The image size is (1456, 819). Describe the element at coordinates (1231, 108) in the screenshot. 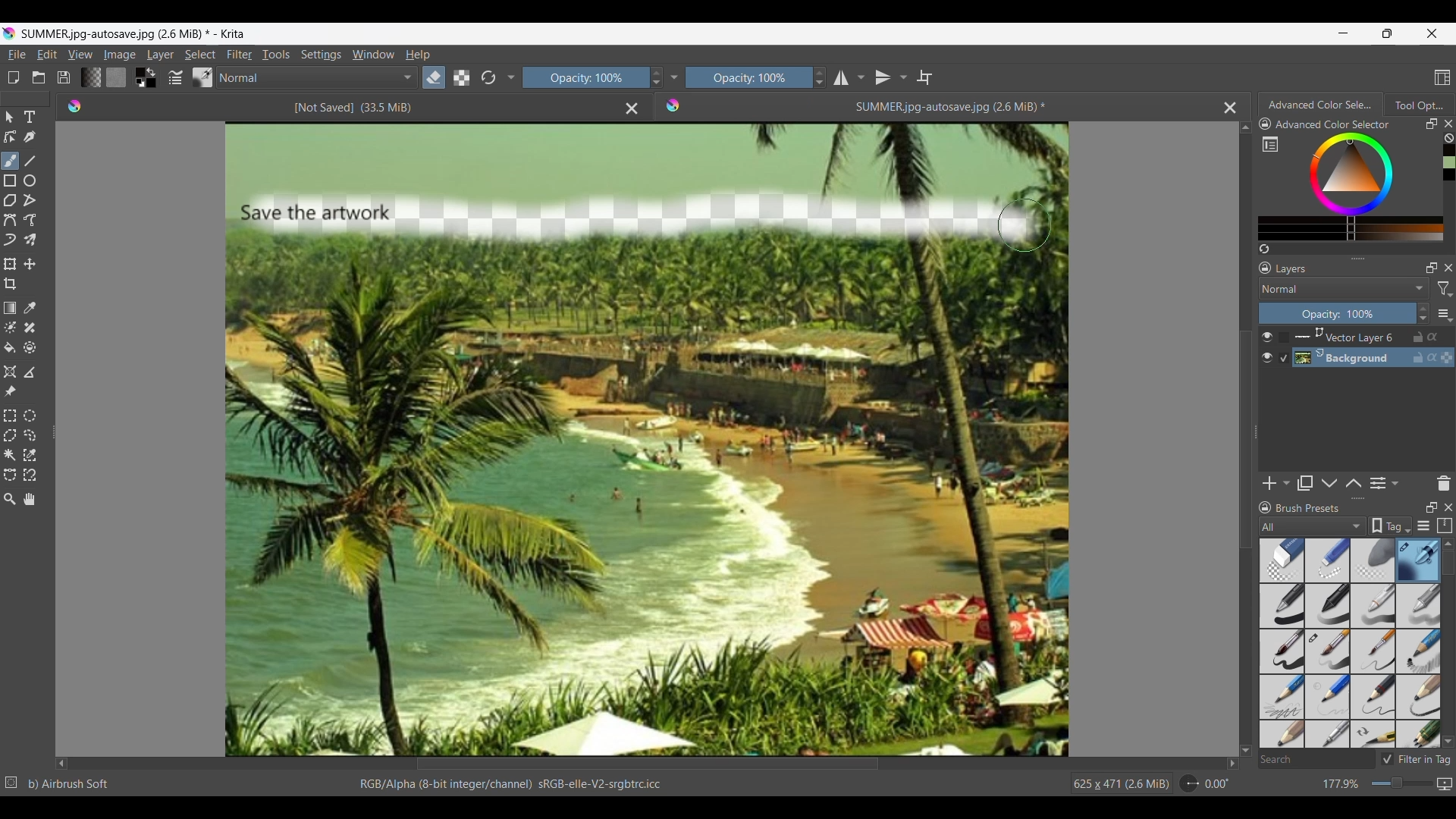

I see `Close current file` at that location.